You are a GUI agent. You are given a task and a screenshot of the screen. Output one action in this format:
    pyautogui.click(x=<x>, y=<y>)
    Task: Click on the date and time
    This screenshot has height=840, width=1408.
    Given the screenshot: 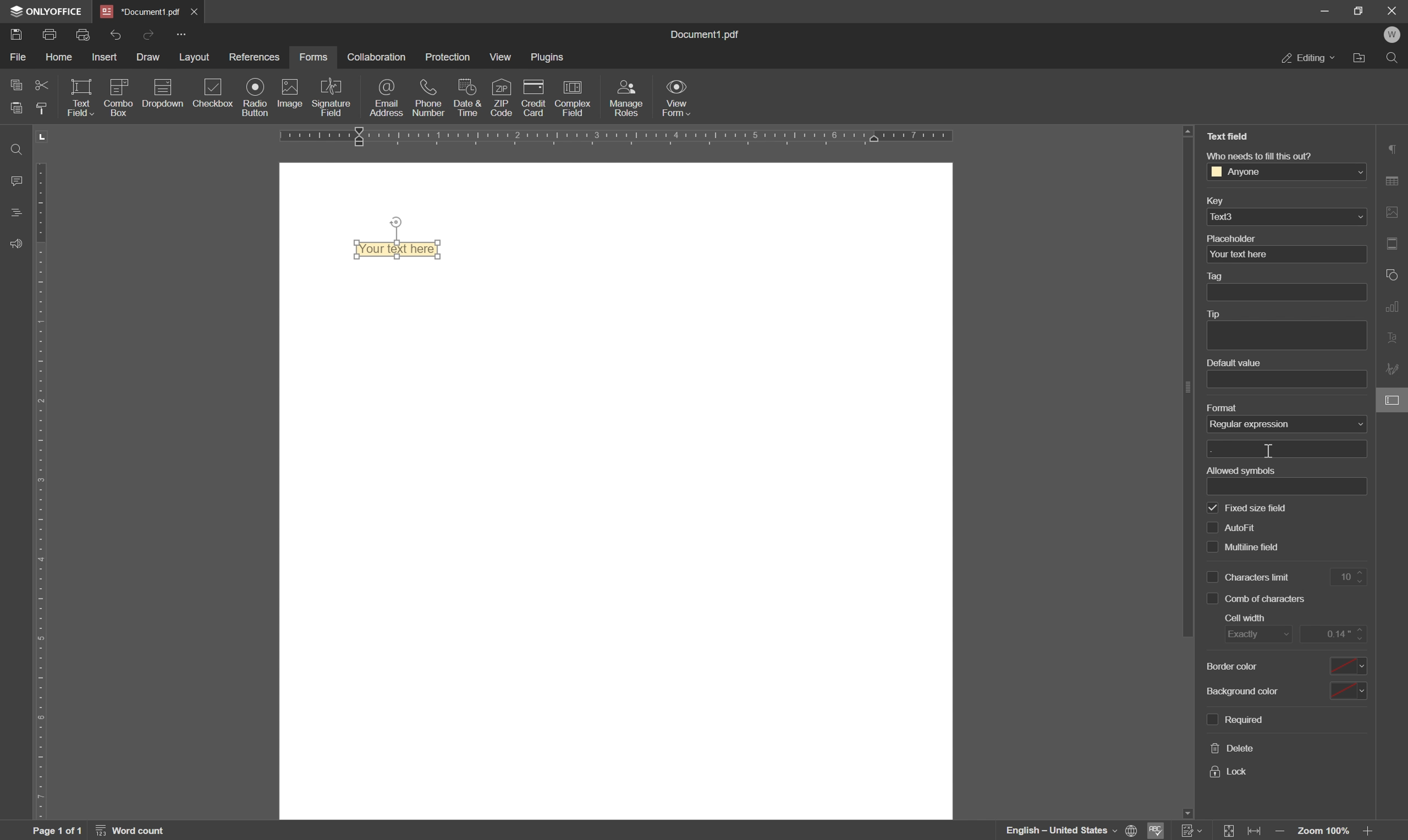 What is the action you would take?
    pyautogui.click(x=467, y=98)
    